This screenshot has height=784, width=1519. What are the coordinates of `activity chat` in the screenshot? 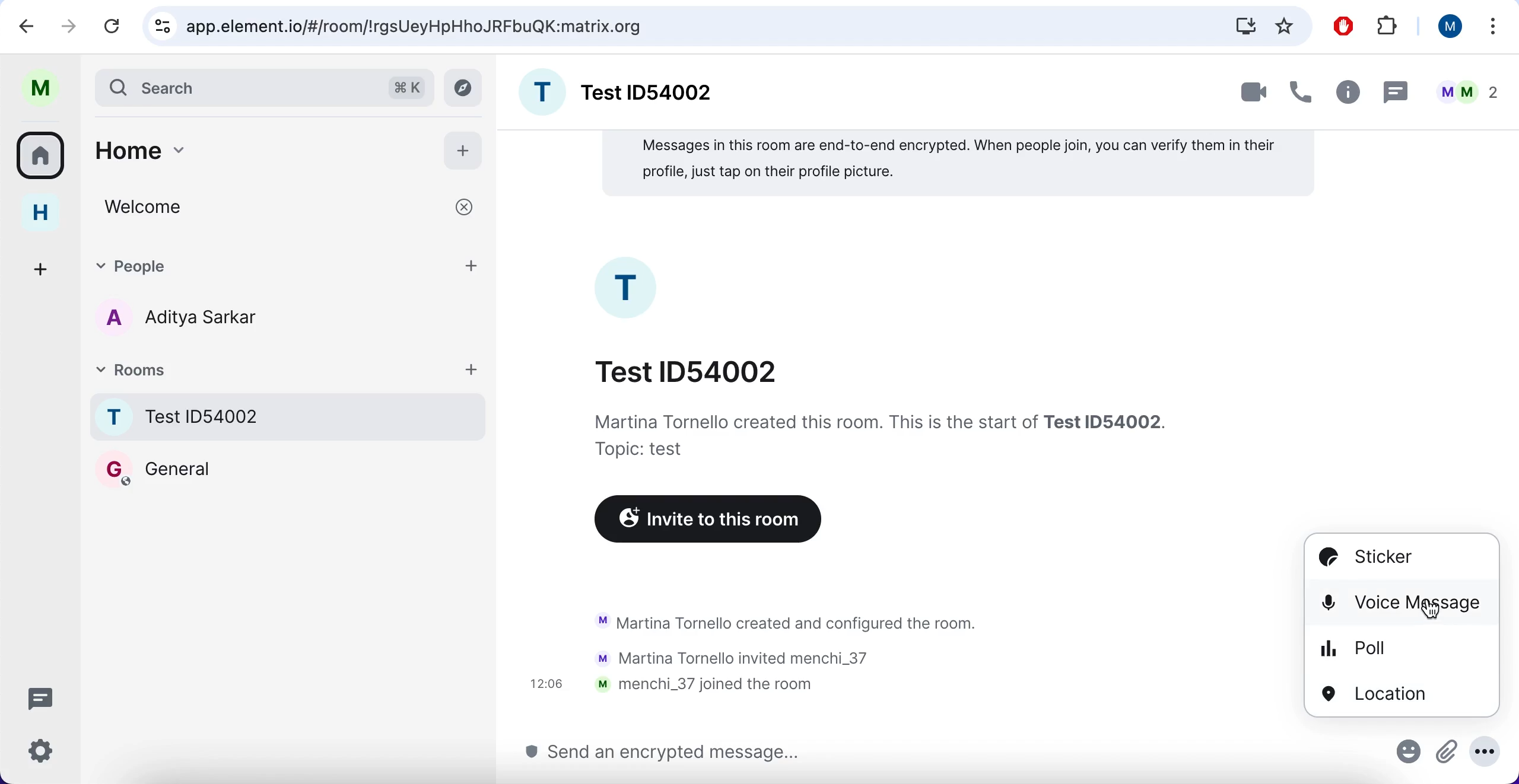 It's located at (771, 655).